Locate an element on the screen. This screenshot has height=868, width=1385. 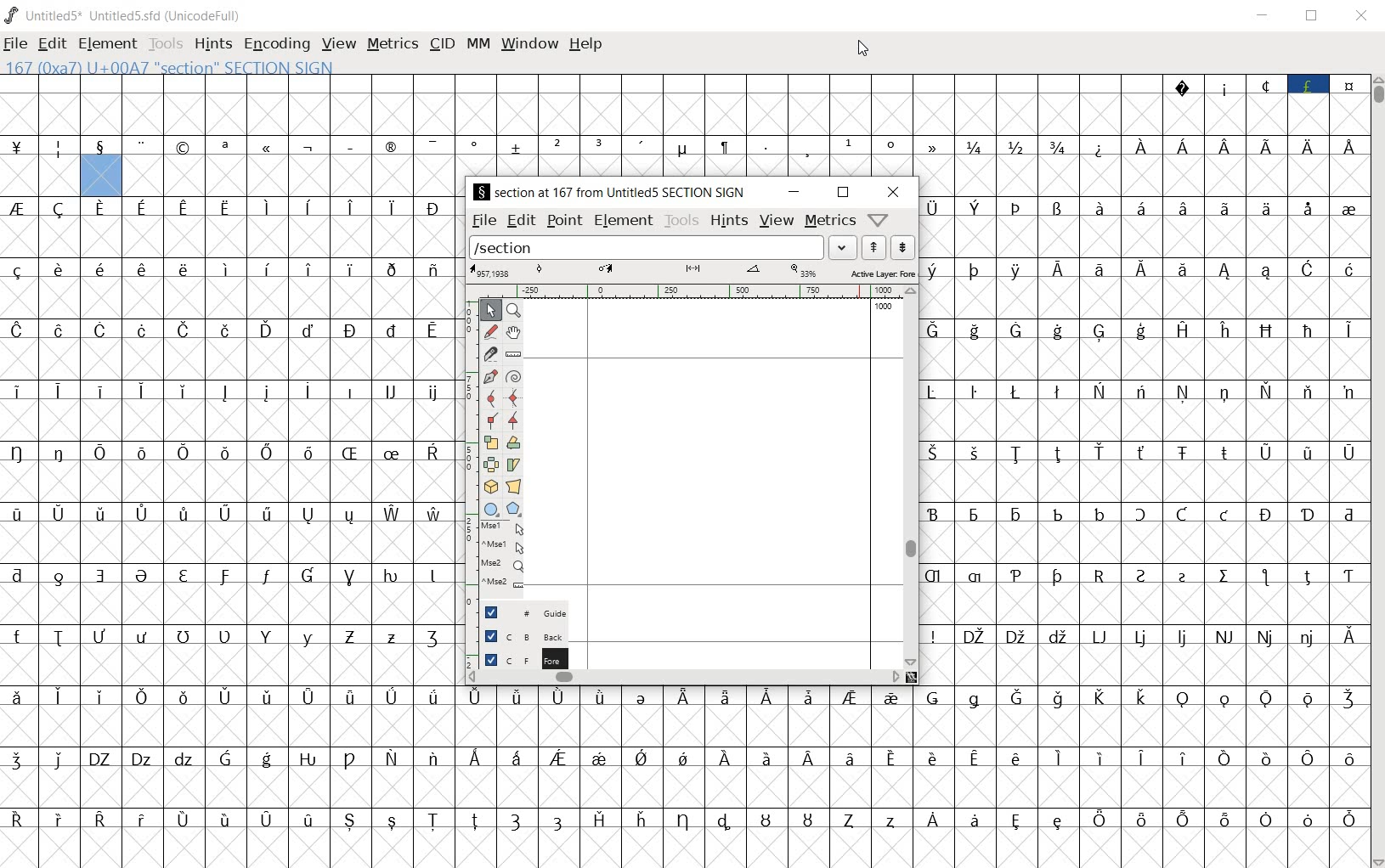
ENCODING is located at coordinates (275, 45).